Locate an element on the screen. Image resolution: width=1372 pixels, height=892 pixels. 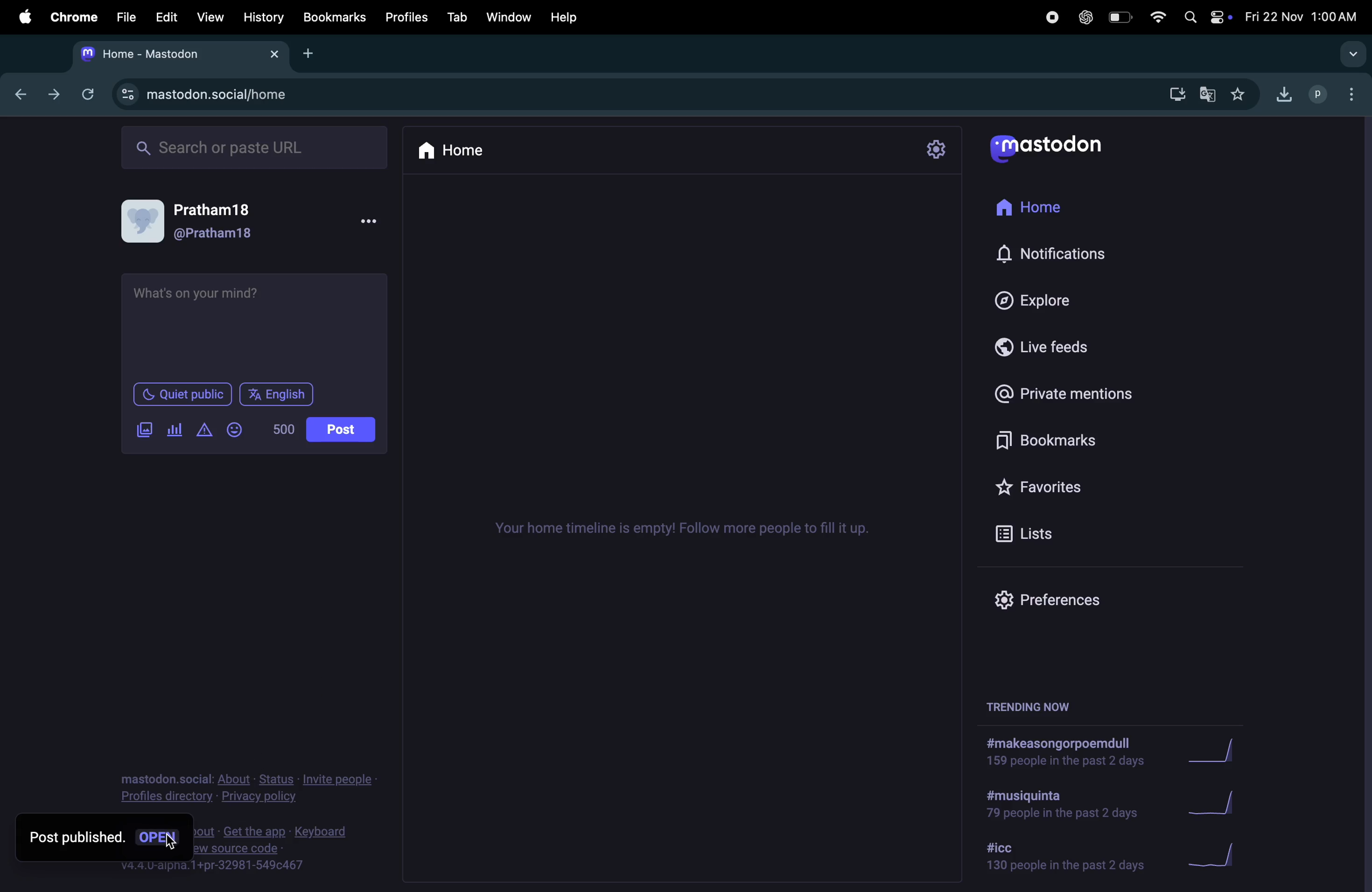
privacy and policy is located at coordinates (258, 797).